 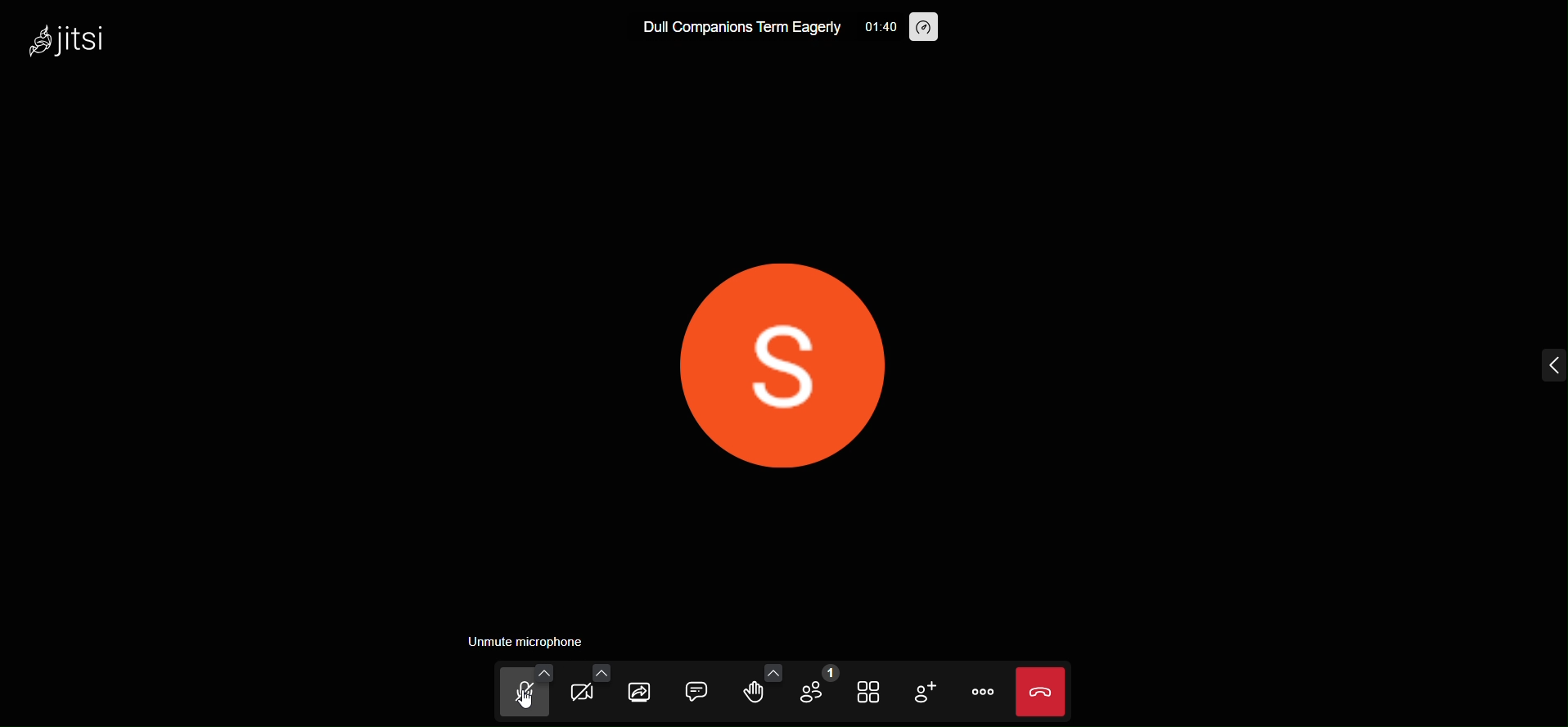 I want to click on microphone on, so click(x=520, y=696).